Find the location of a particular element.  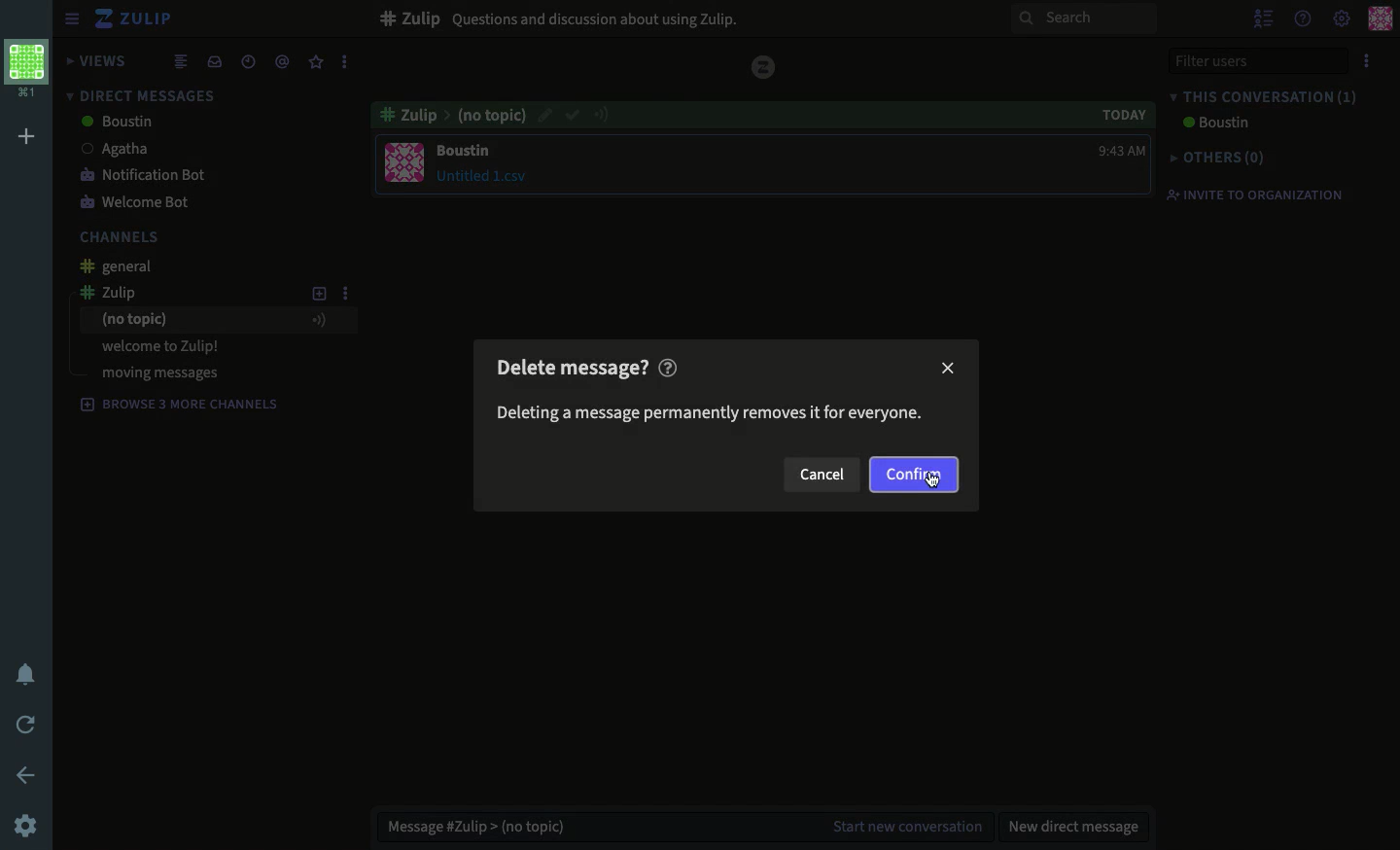

options is located at coordinates (345, 61).